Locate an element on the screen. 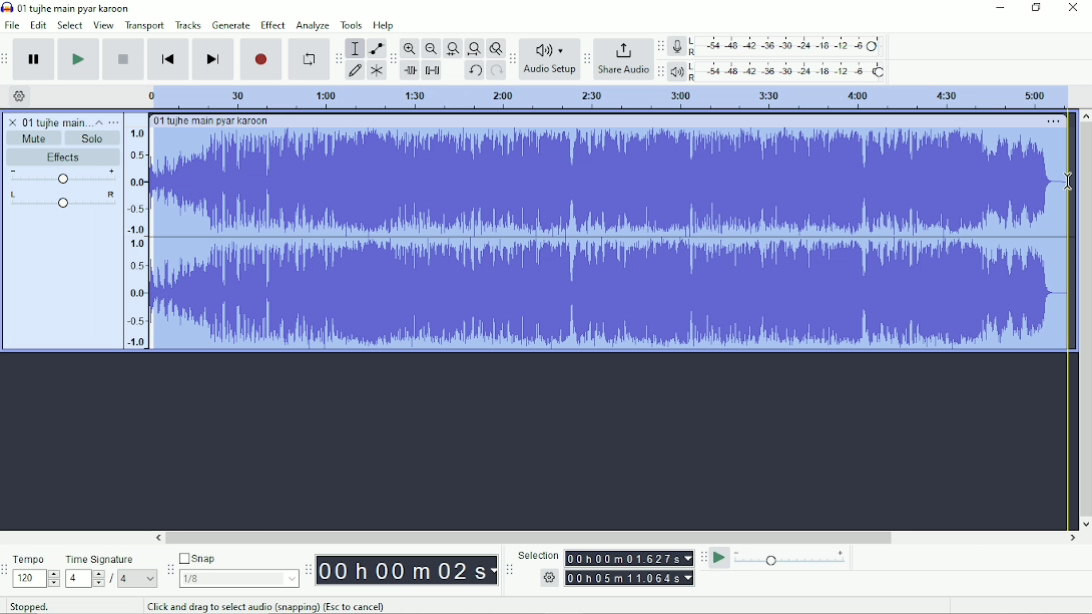 The image size is (1092, 614). File is located at coordinates (12, 25).